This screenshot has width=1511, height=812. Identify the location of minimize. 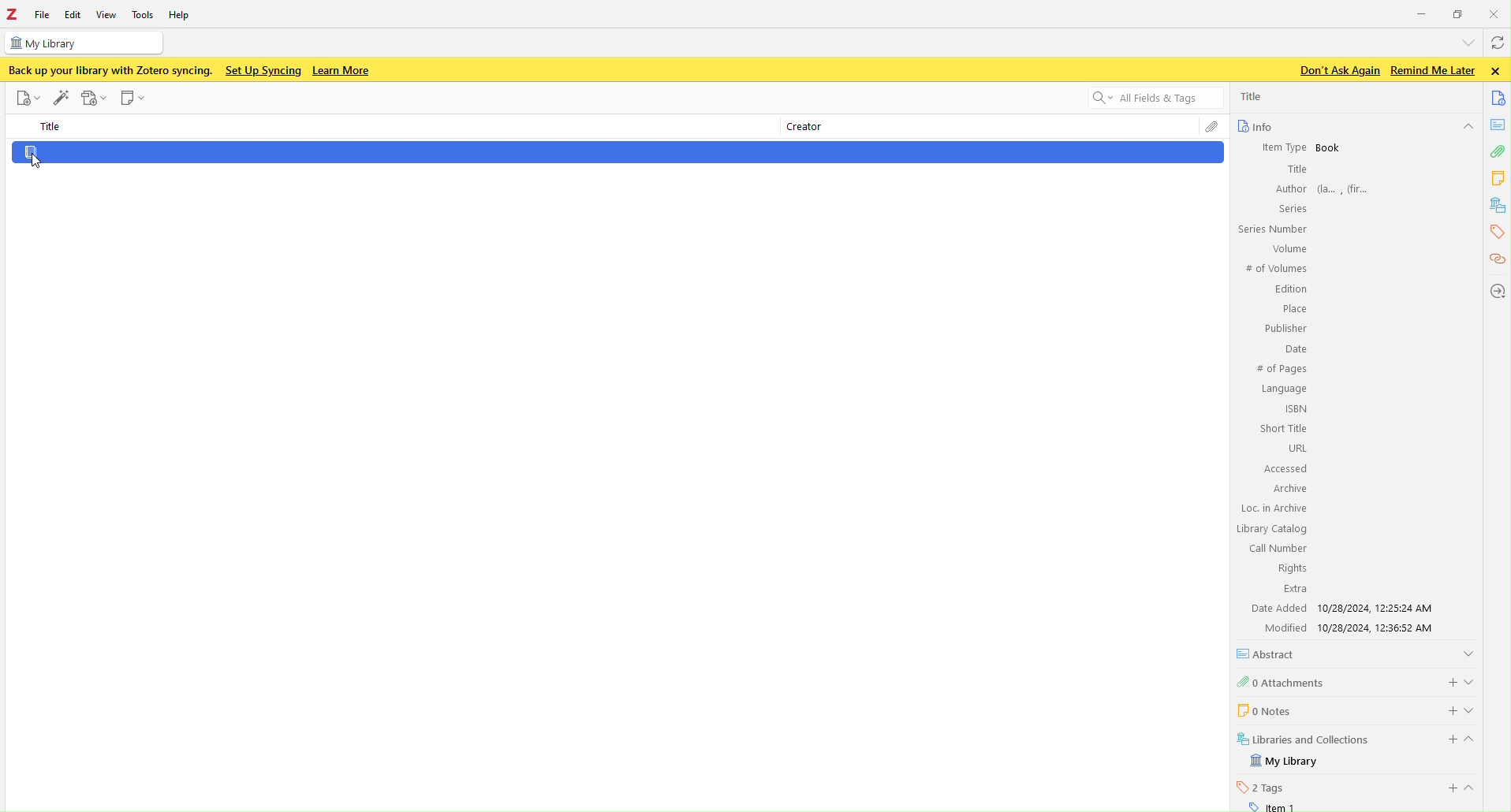
(1421, 13).